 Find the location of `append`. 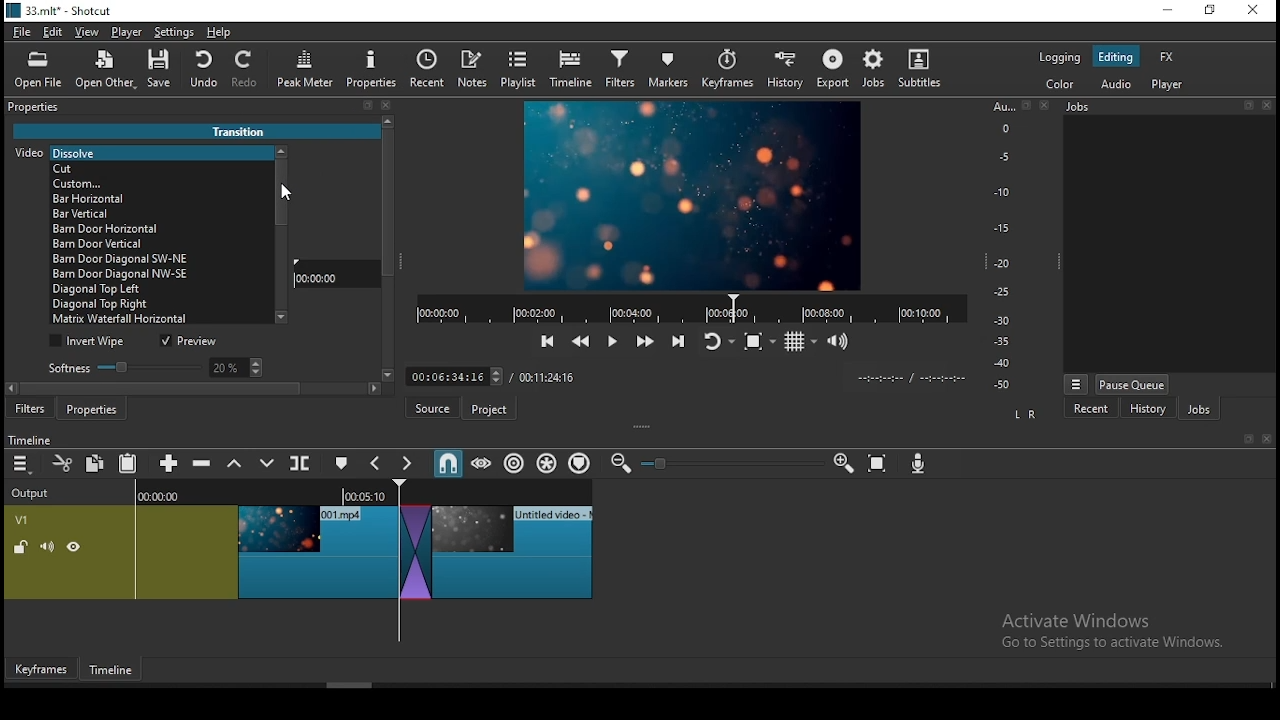

append is located at coordinates (170, 464).